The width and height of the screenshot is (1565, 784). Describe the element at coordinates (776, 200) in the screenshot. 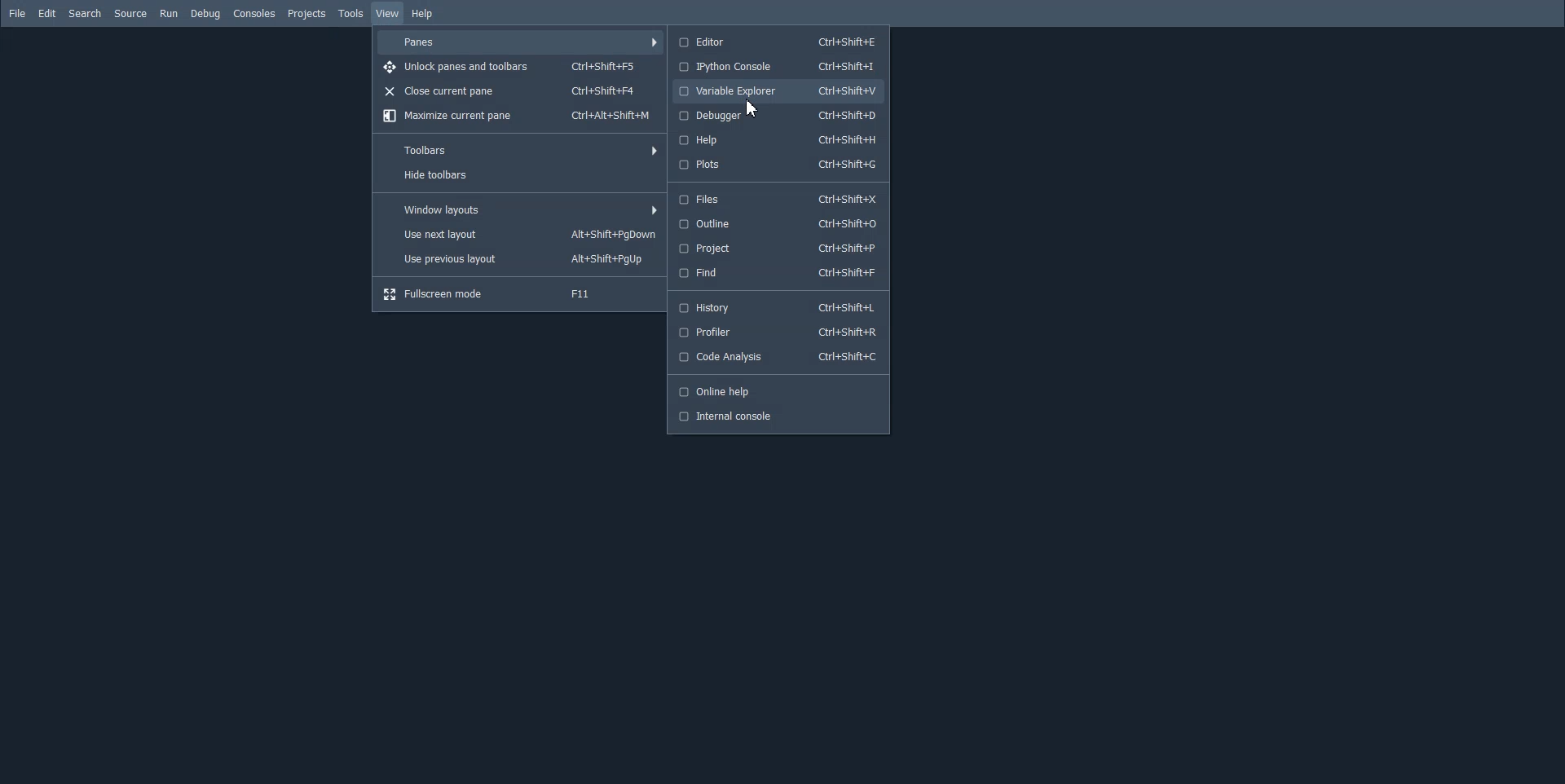

I see `Files` at that location.